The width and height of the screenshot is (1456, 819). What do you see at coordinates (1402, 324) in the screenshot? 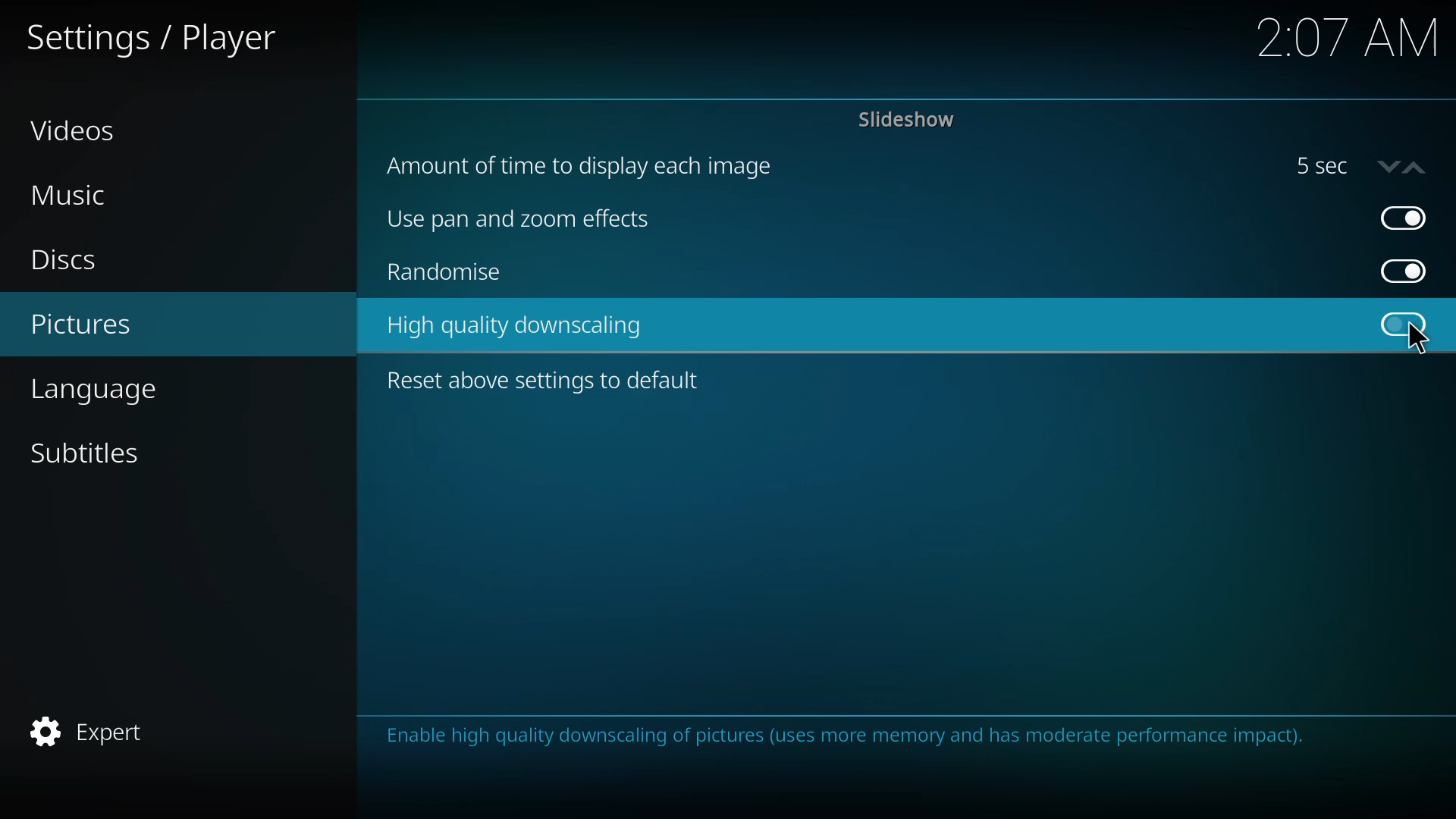
I see `click to enable` at bounding box center [1402, 324].